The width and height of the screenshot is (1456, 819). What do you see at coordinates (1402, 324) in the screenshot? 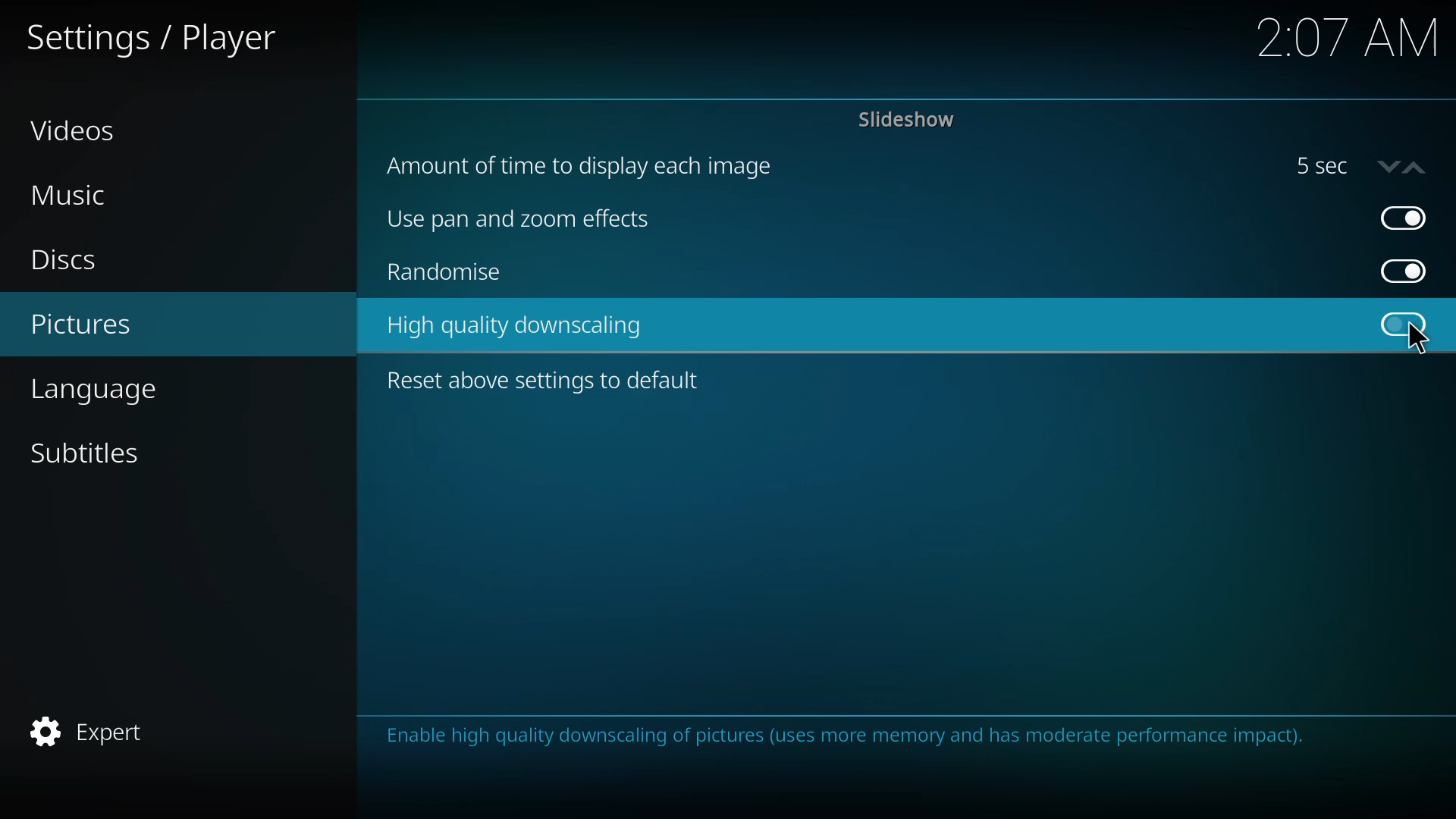
I see `click to enable` at bounding box center [1402, 324].